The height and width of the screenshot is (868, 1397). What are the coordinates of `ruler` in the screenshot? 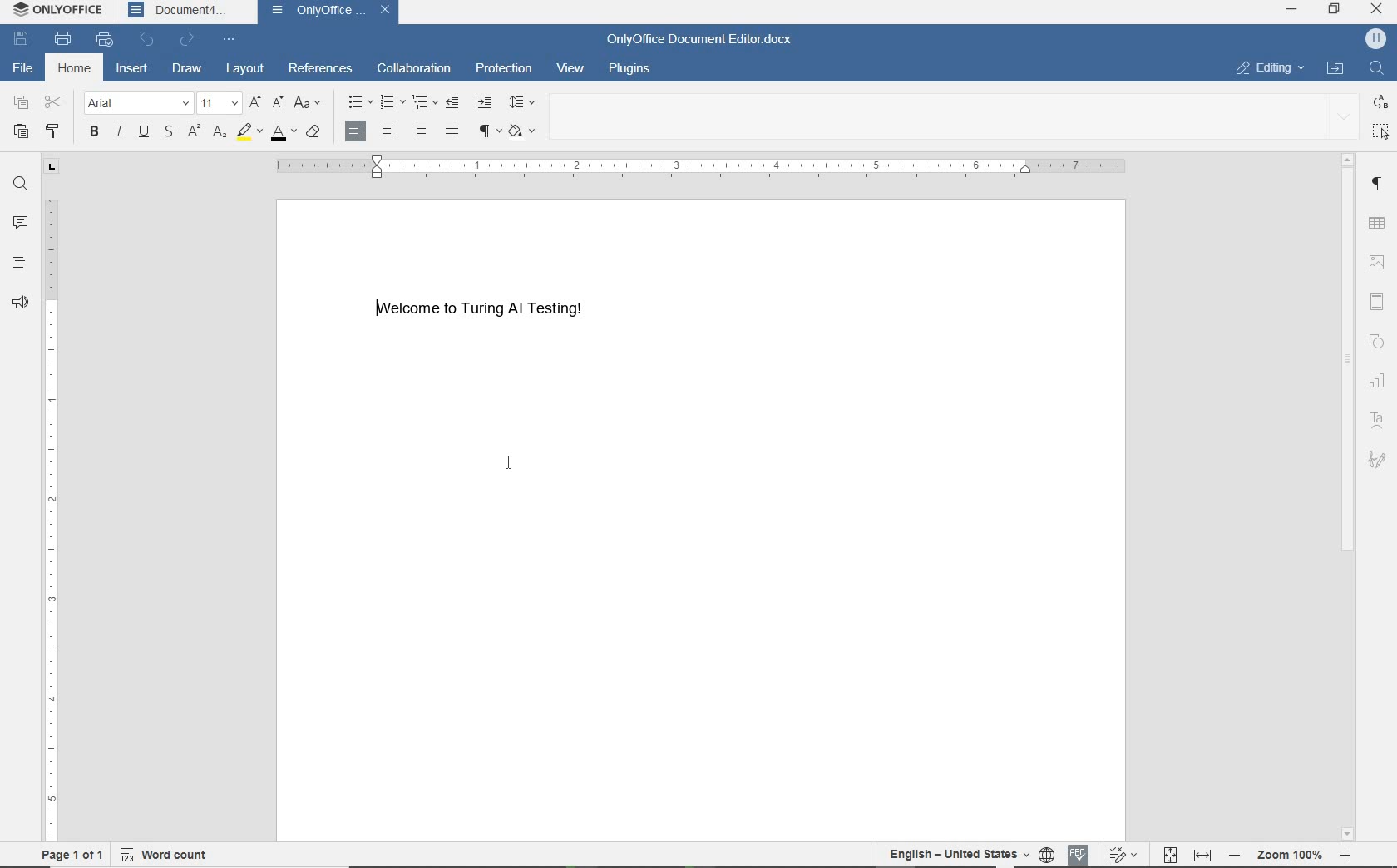 It's located at (702, 166).